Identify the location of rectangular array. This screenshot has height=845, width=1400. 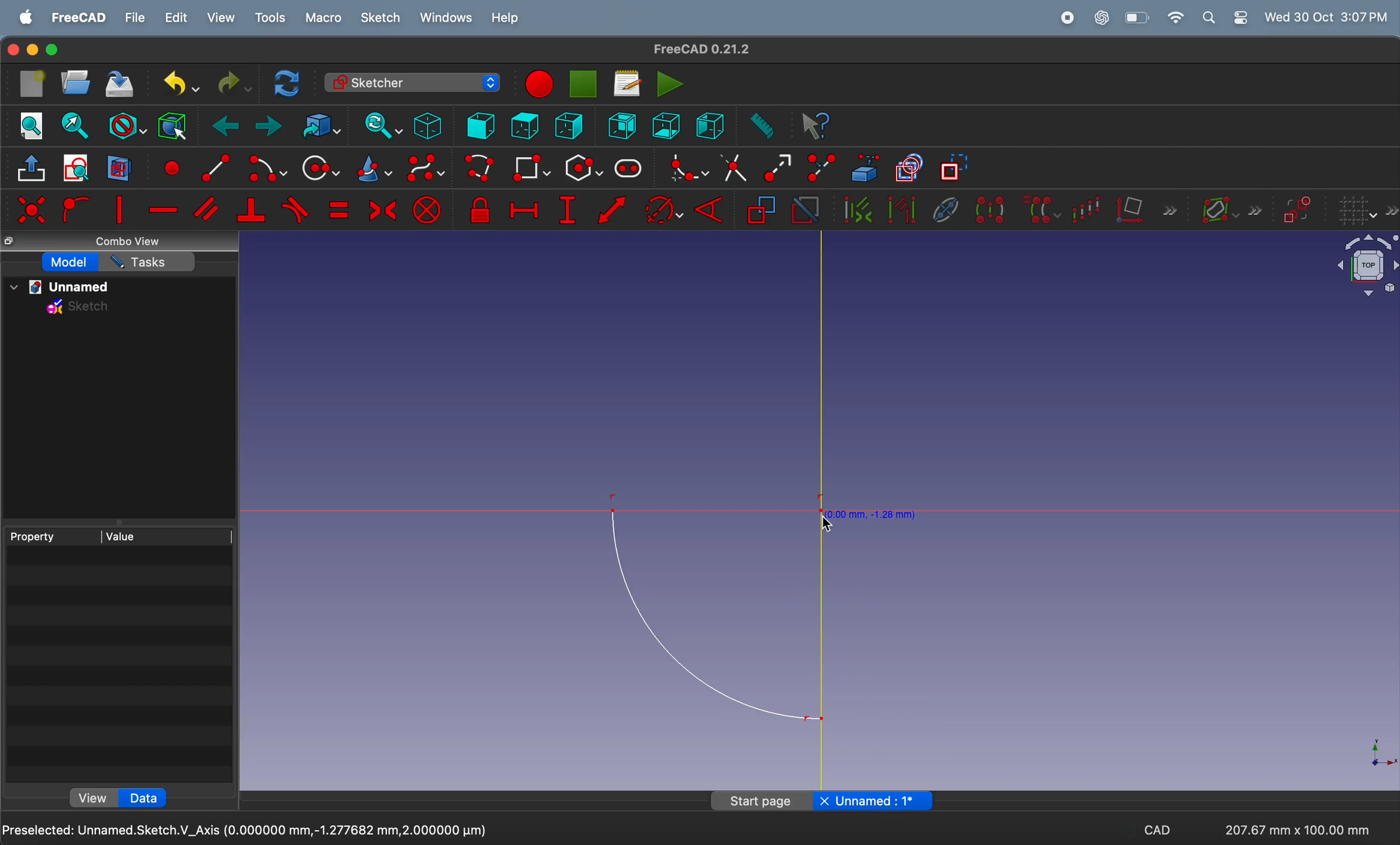
(1090, 208).